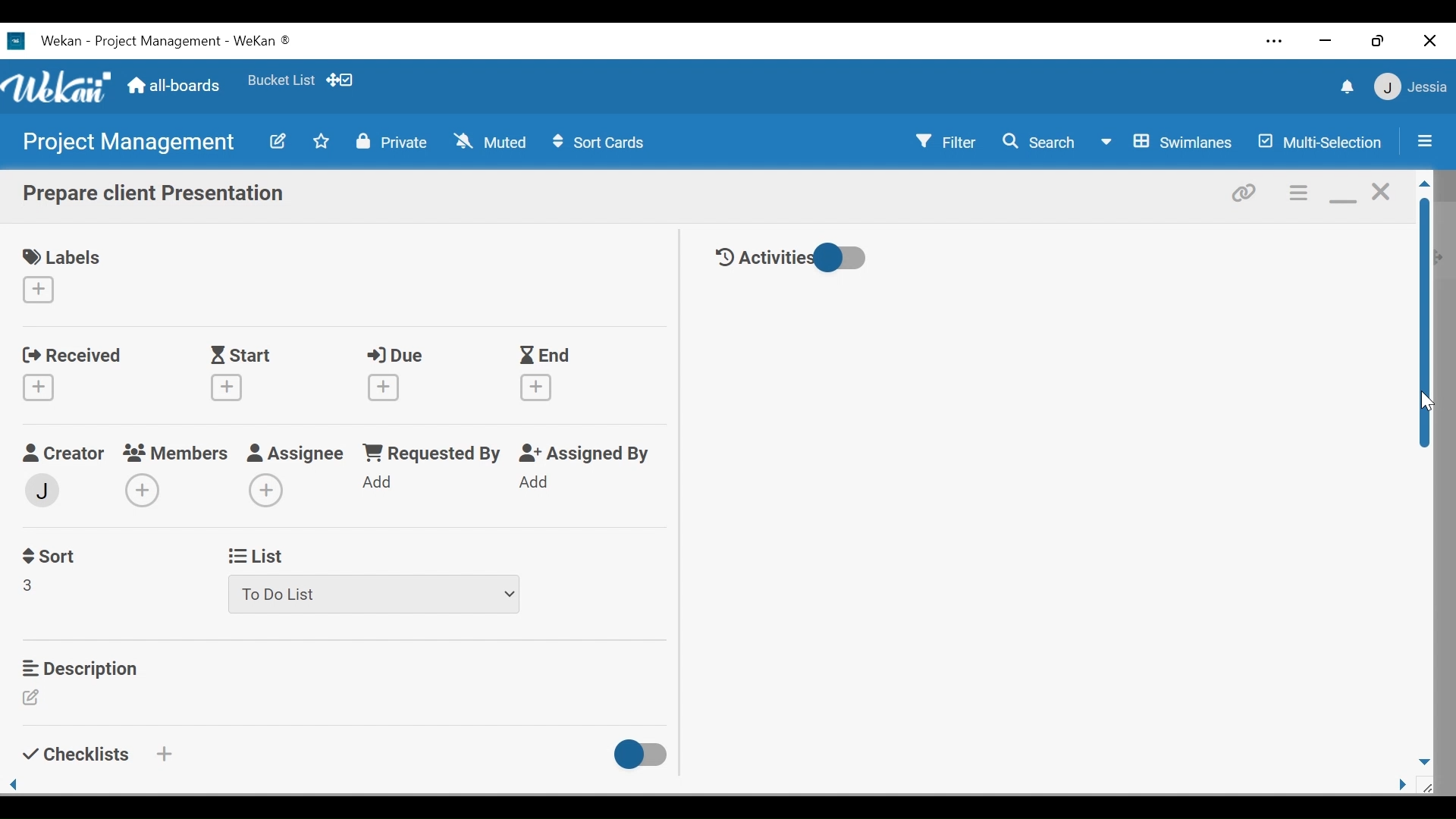 The height and width of the screenshot is (819, 1456). I want to click on Due Date, so click(402, 357).